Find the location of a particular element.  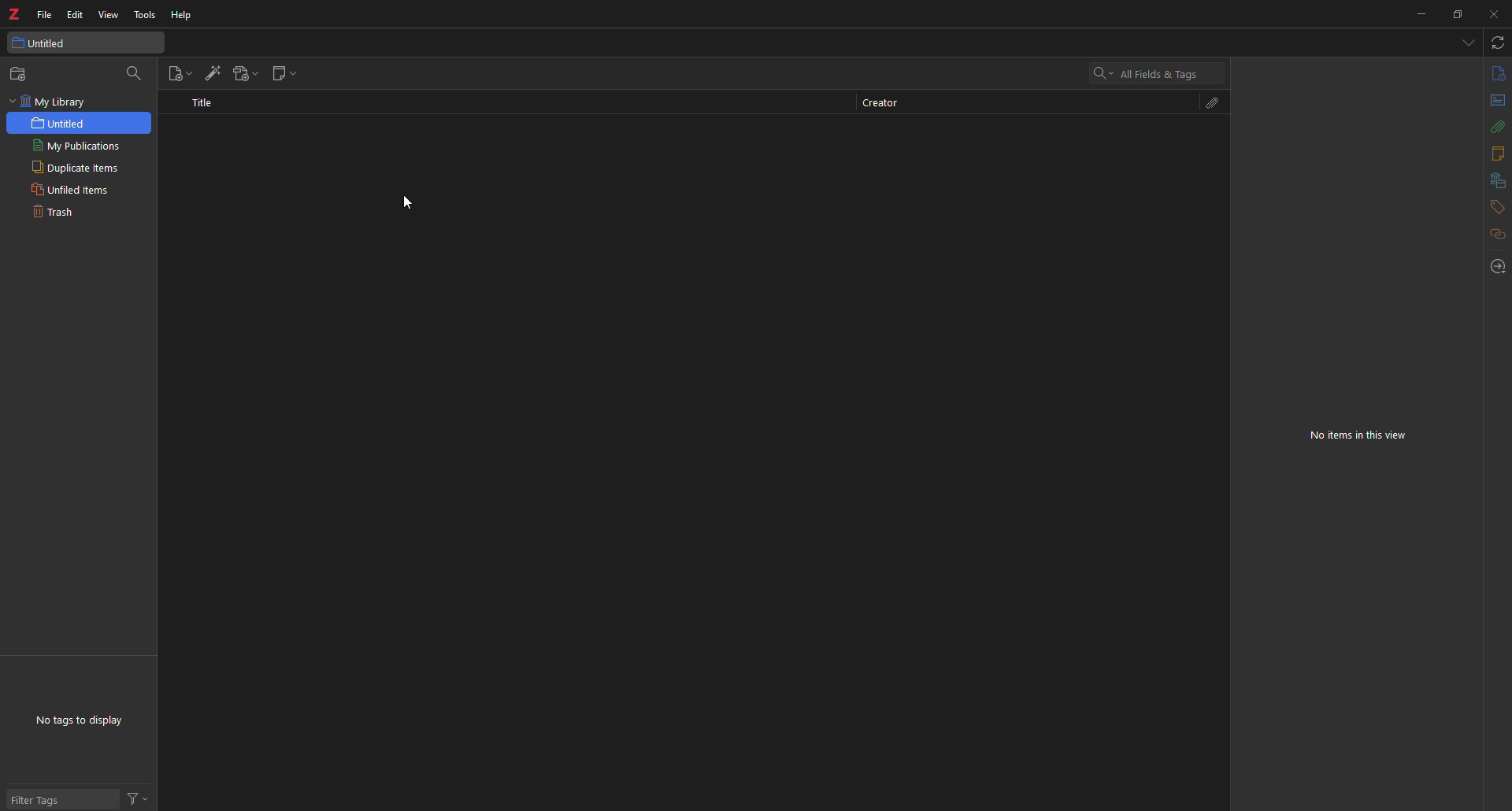

minimize is located at coordinates (1414, 16).